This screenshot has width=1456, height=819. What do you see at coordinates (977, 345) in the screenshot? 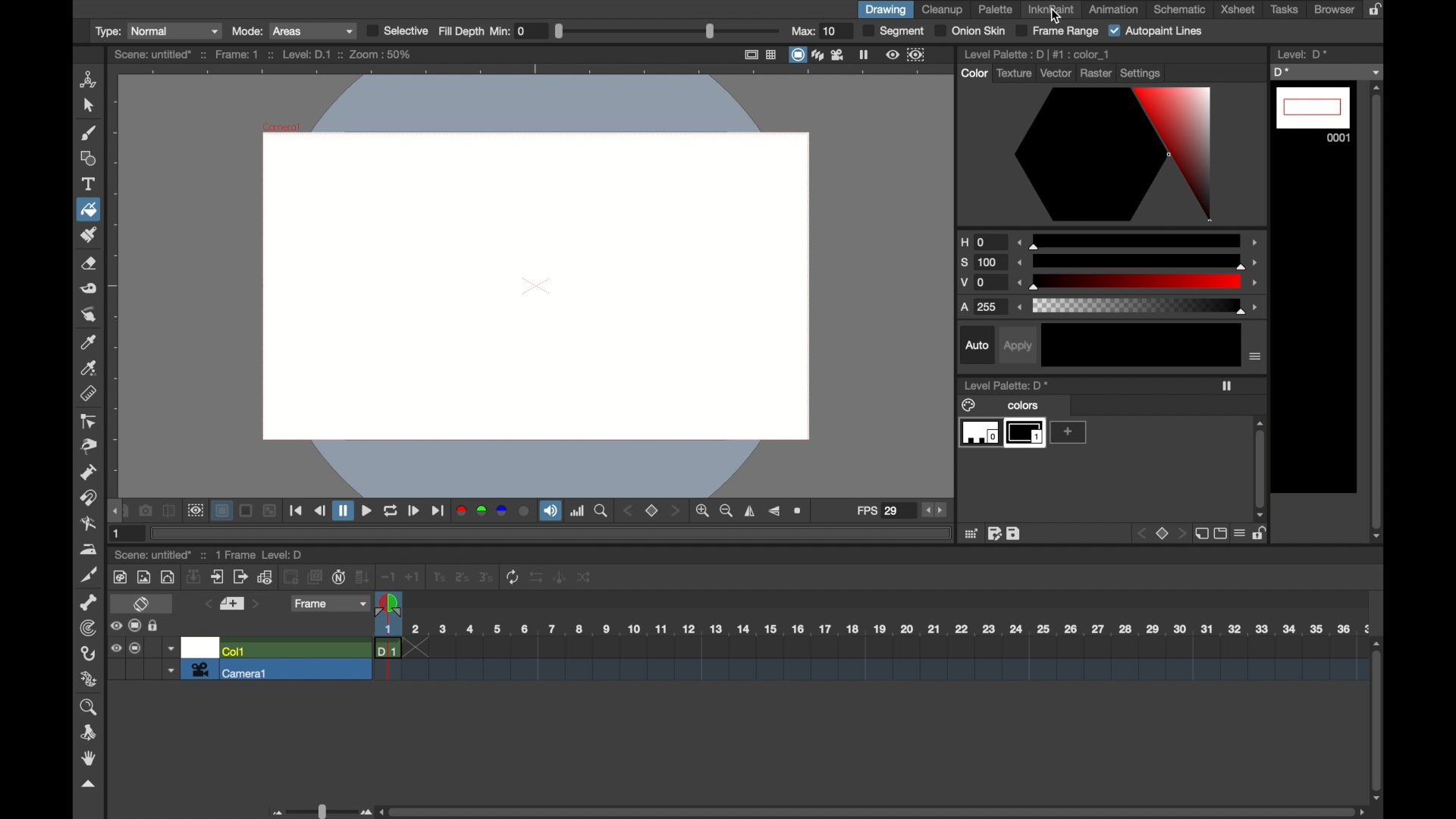
I see `auto` at bounding box center [977, 345].